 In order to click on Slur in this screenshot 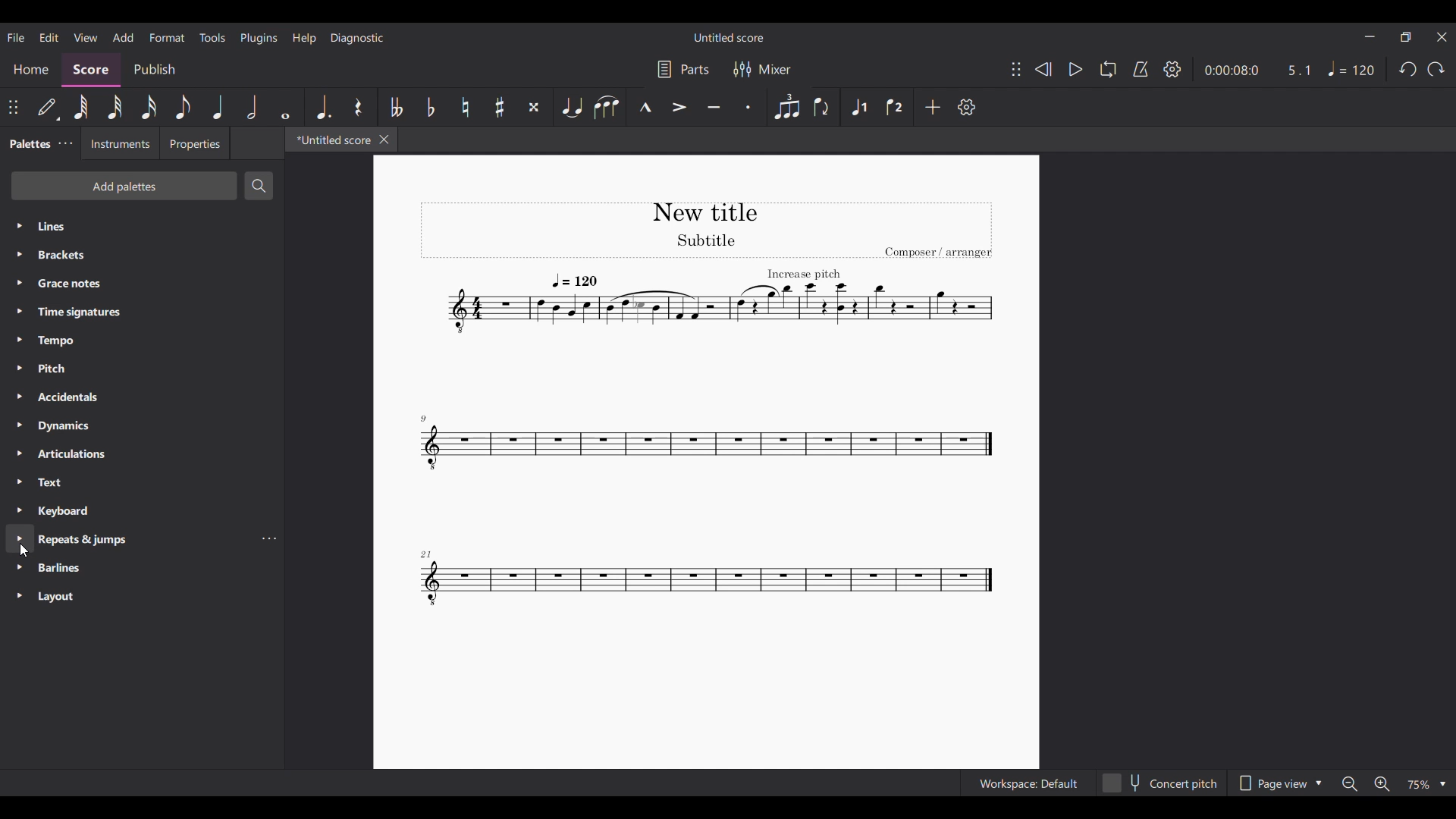, I will do `click(607, 107)`.